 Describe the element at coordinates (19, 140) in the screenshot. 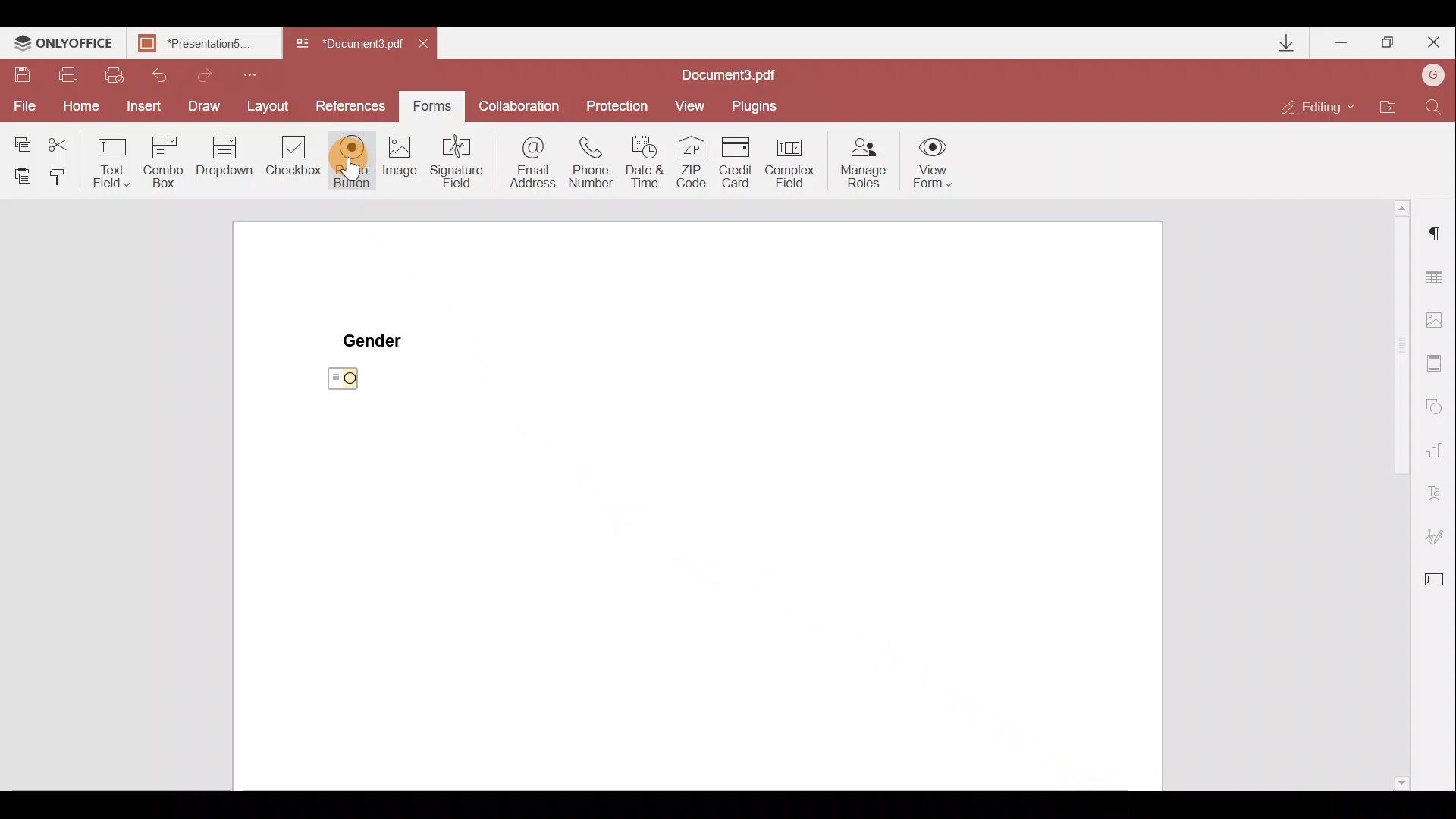

I see `Copy` at that location.